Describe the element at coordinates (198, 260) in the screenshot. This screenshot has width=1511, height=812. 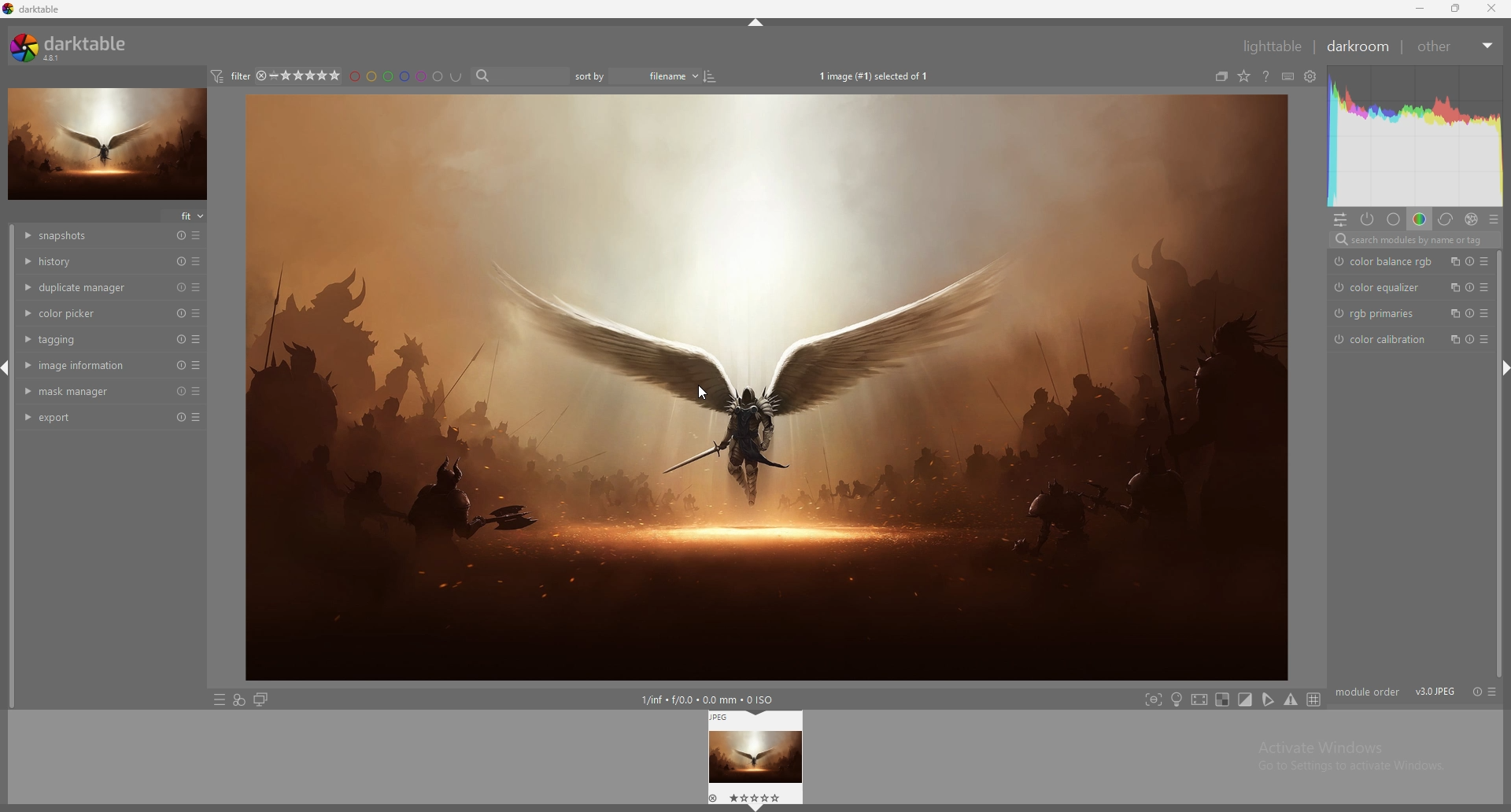
I see `preset` at that location.